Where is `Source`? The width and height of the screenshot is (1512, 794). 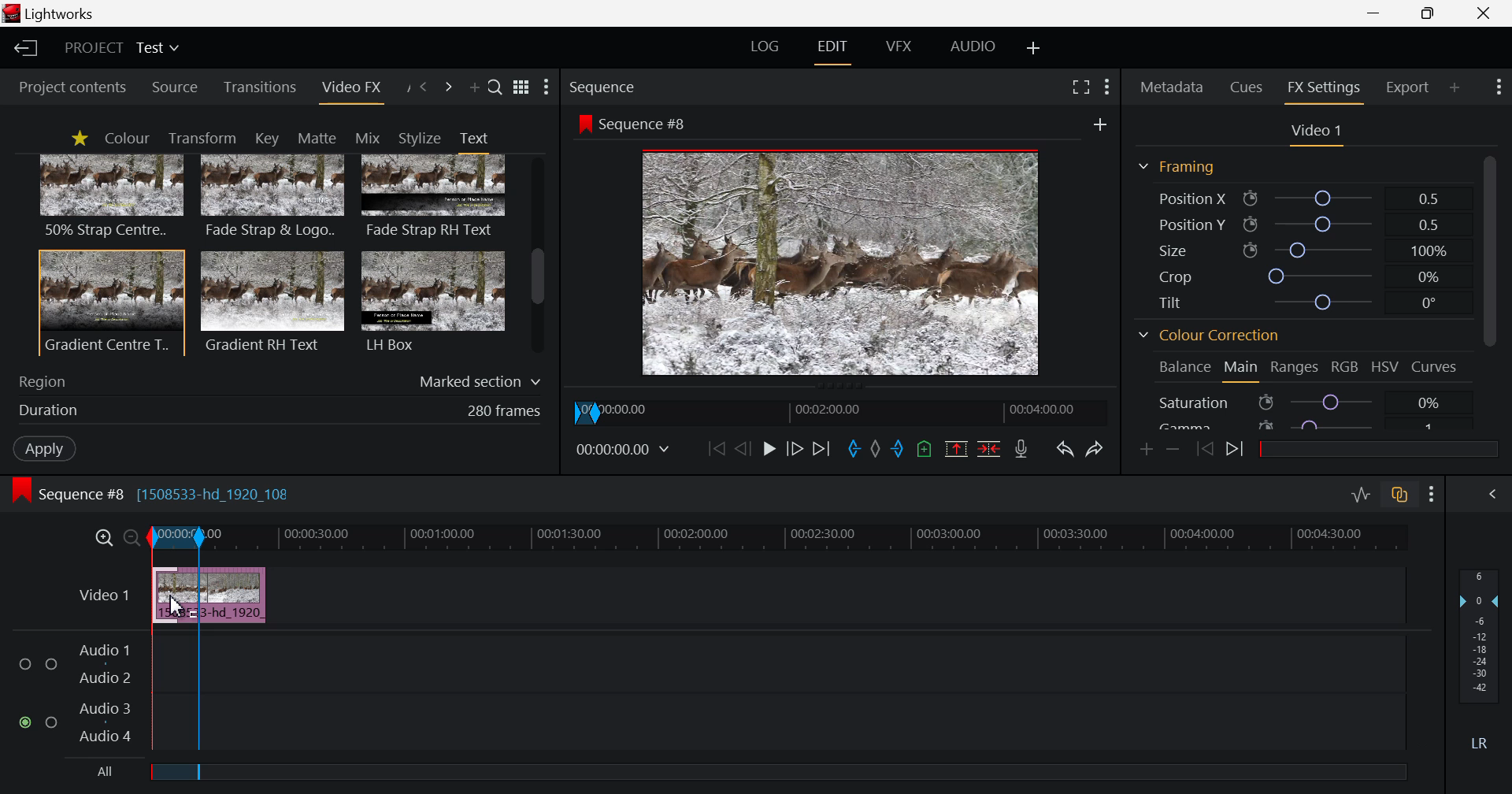 Source is located at coordinates (175, 88).